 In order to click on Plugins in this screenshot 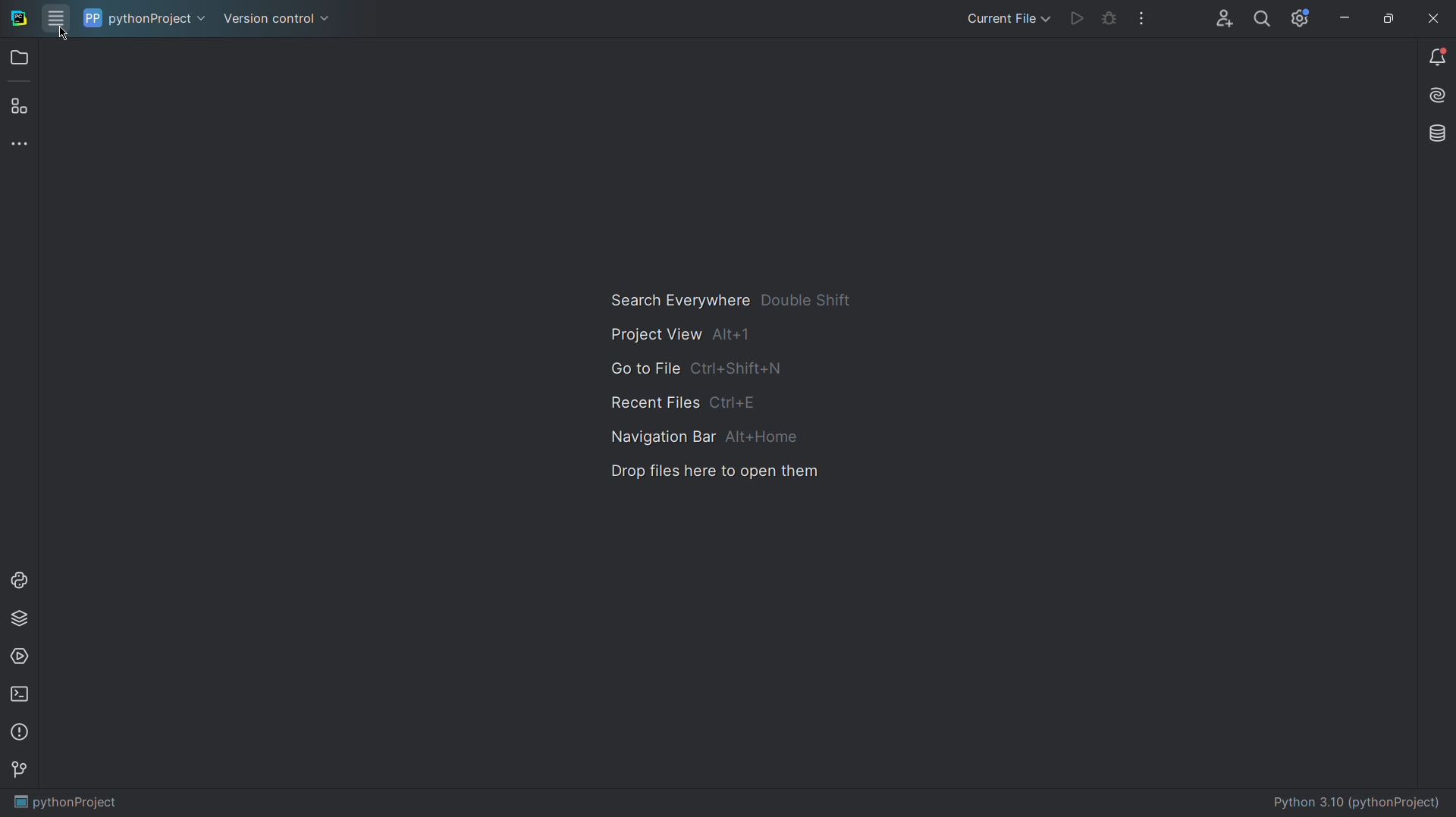, I will do `click(20, 108)`.